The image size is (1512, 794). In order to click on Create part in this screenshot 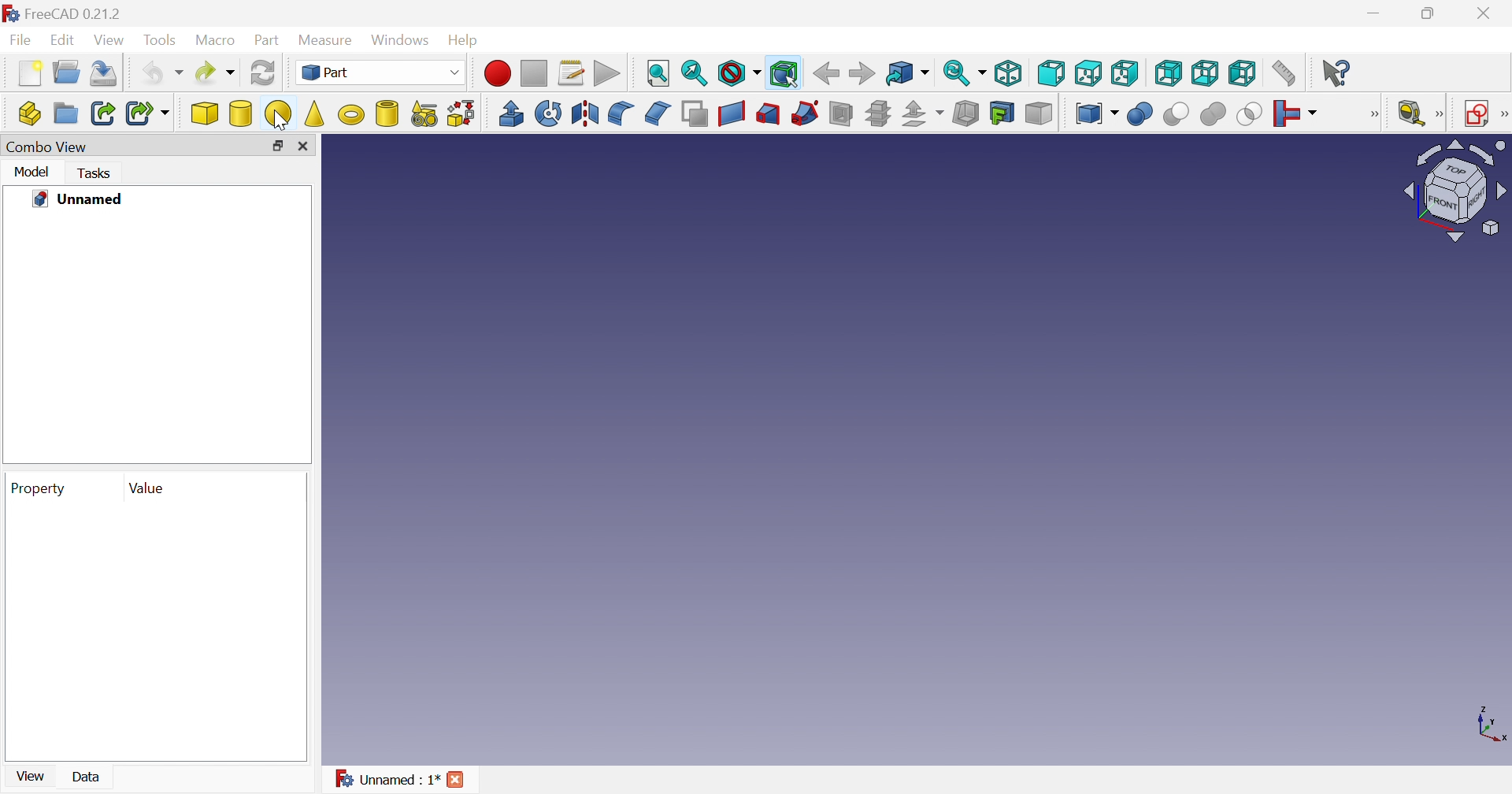, I will do `click(31, 113)`.